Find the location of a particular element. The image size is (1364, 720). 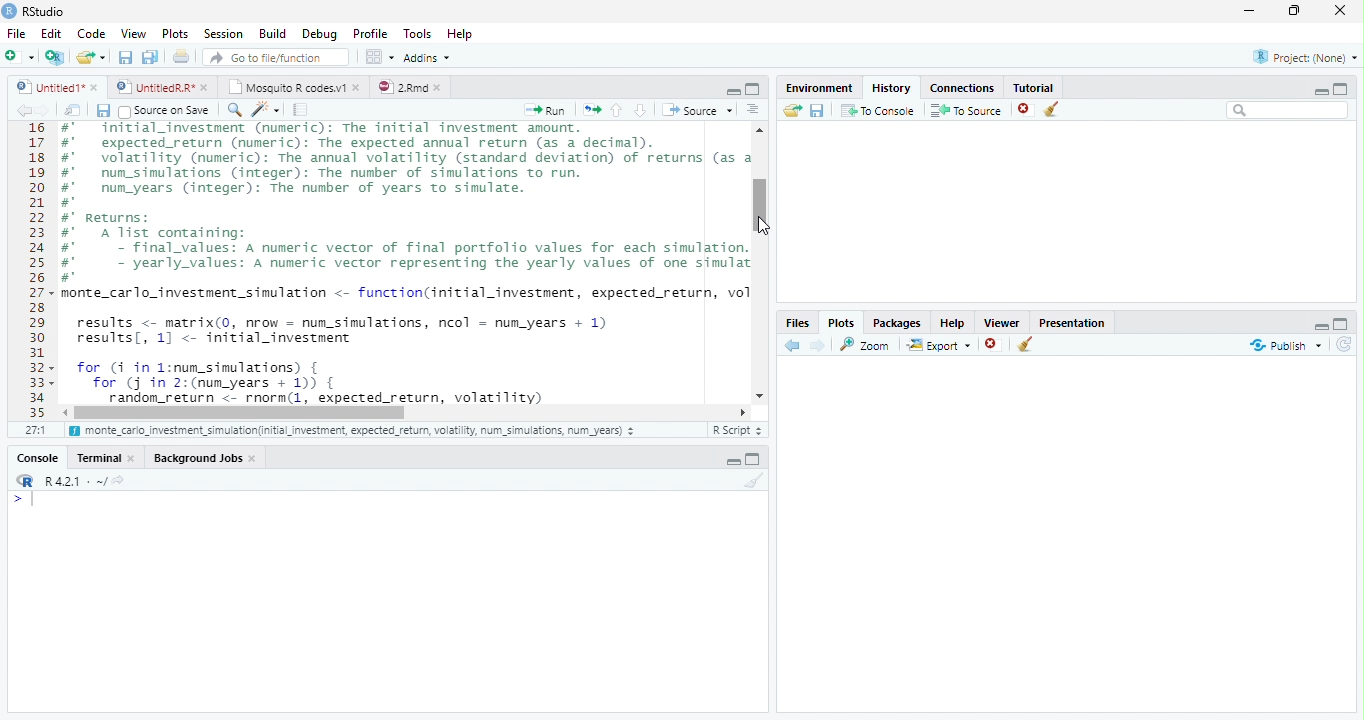

Full Height is located at coordinates (1343, 322).